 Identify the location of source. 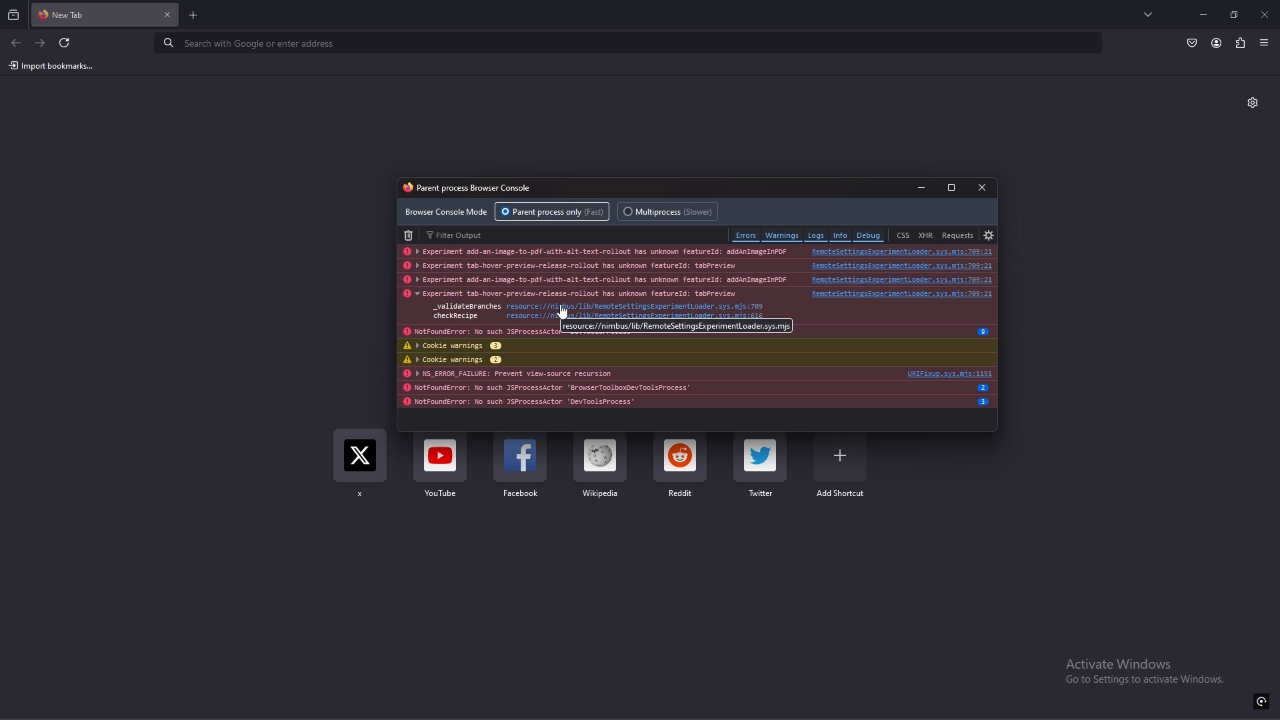
(901, 279).